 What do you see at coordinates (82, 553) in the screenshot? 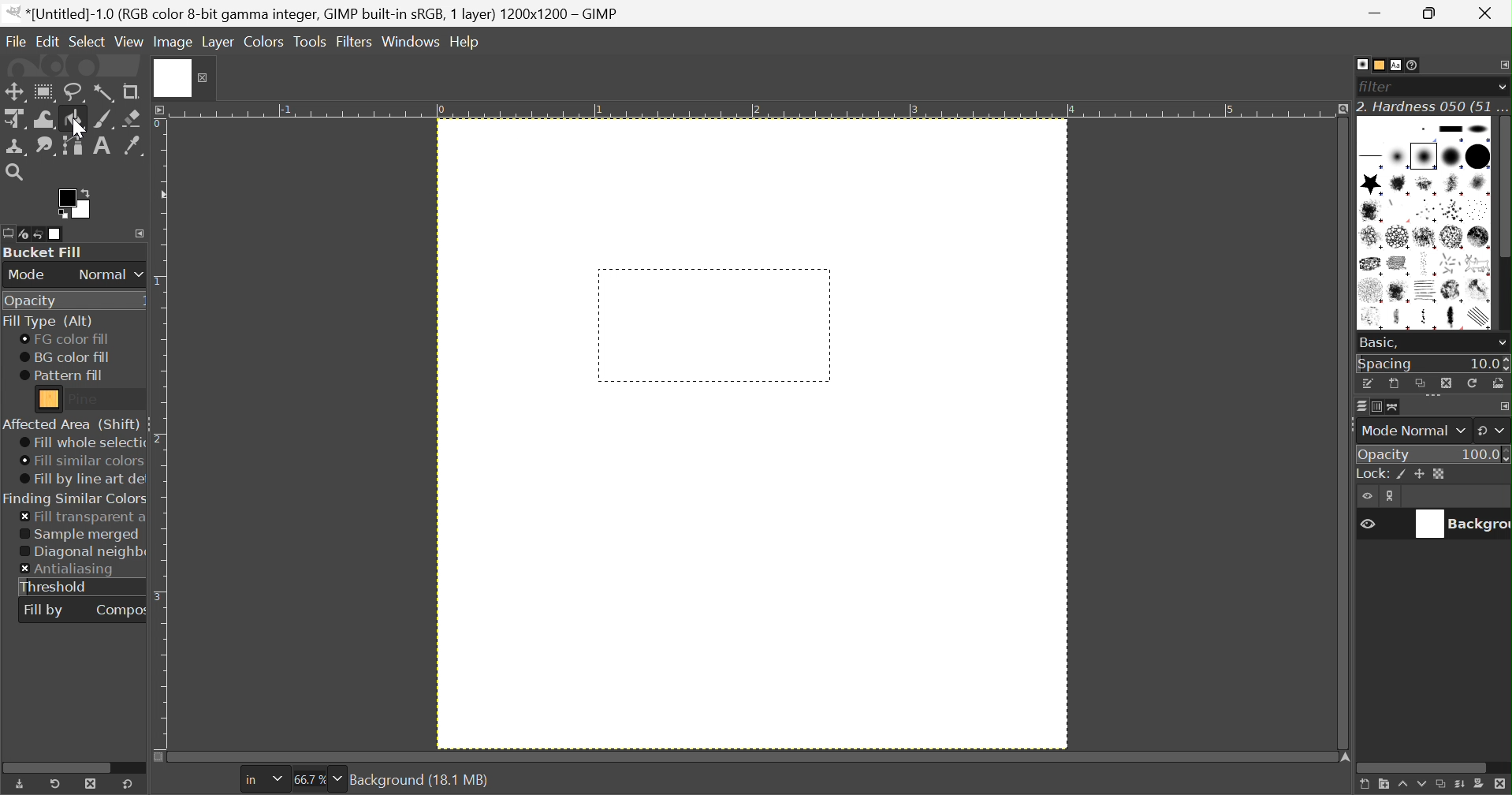
I see `Diagonal neighbours` at bounding box center [82, 553].